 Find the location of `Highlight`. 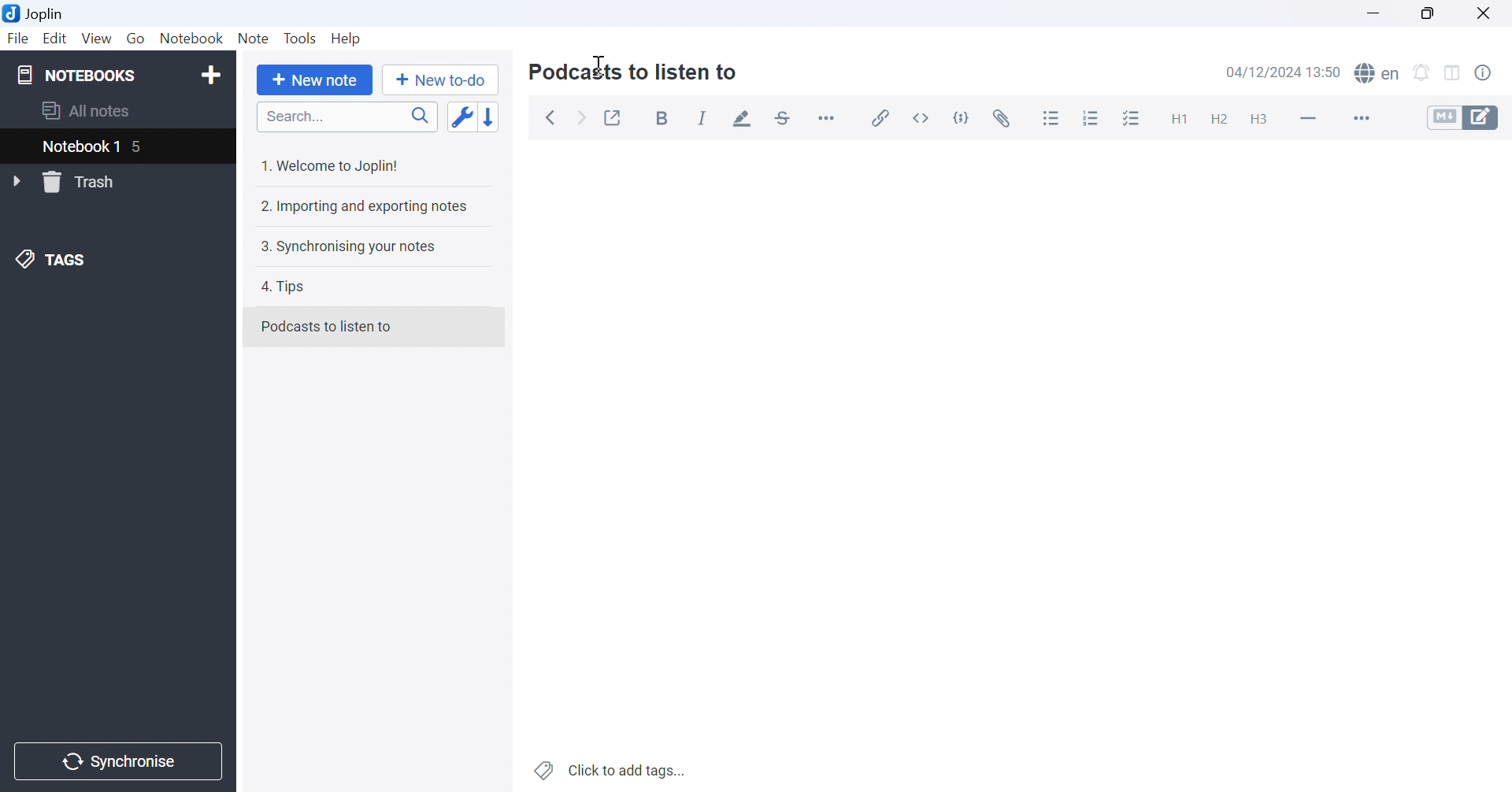

Highlight is located at coordinates (744, 119).